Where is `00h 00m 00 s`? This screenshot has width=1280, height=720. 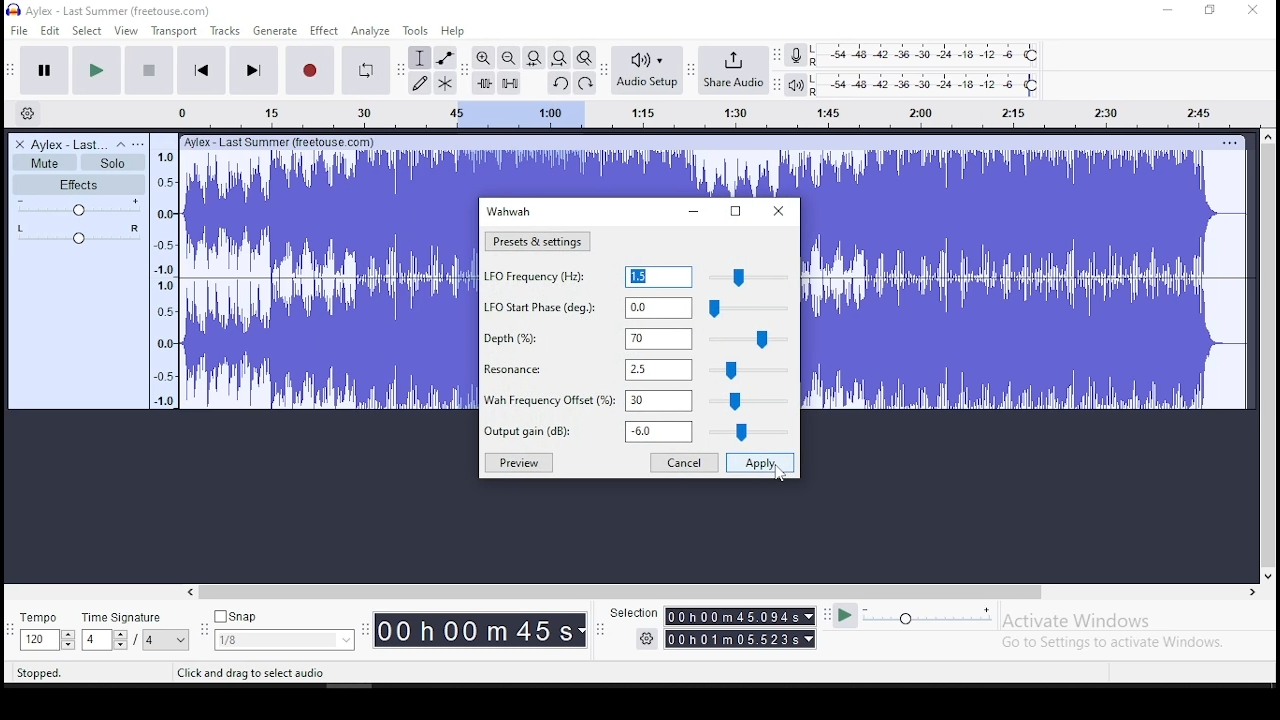 00h 00m 00 s is located at coordinates (477, 628).